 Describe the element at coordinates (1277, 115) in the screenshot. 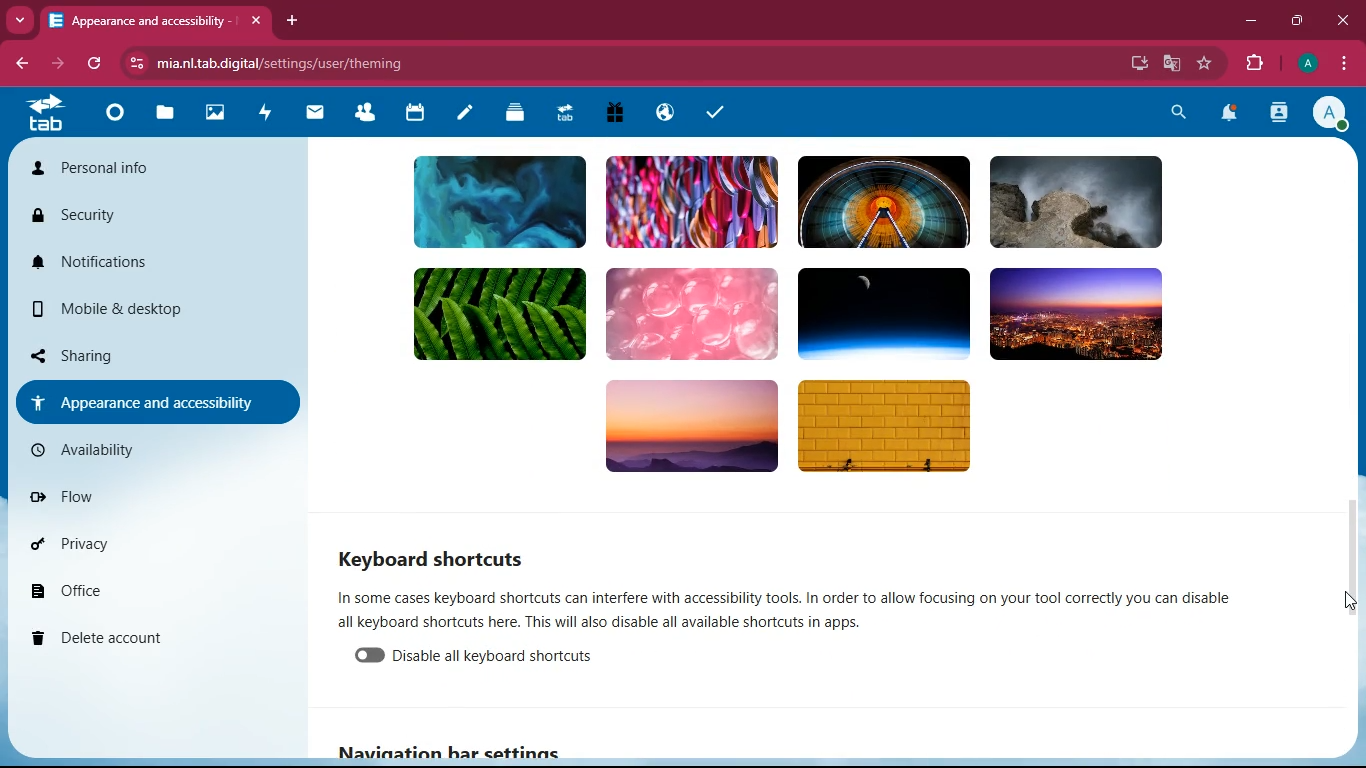

I see `activity` at that location.